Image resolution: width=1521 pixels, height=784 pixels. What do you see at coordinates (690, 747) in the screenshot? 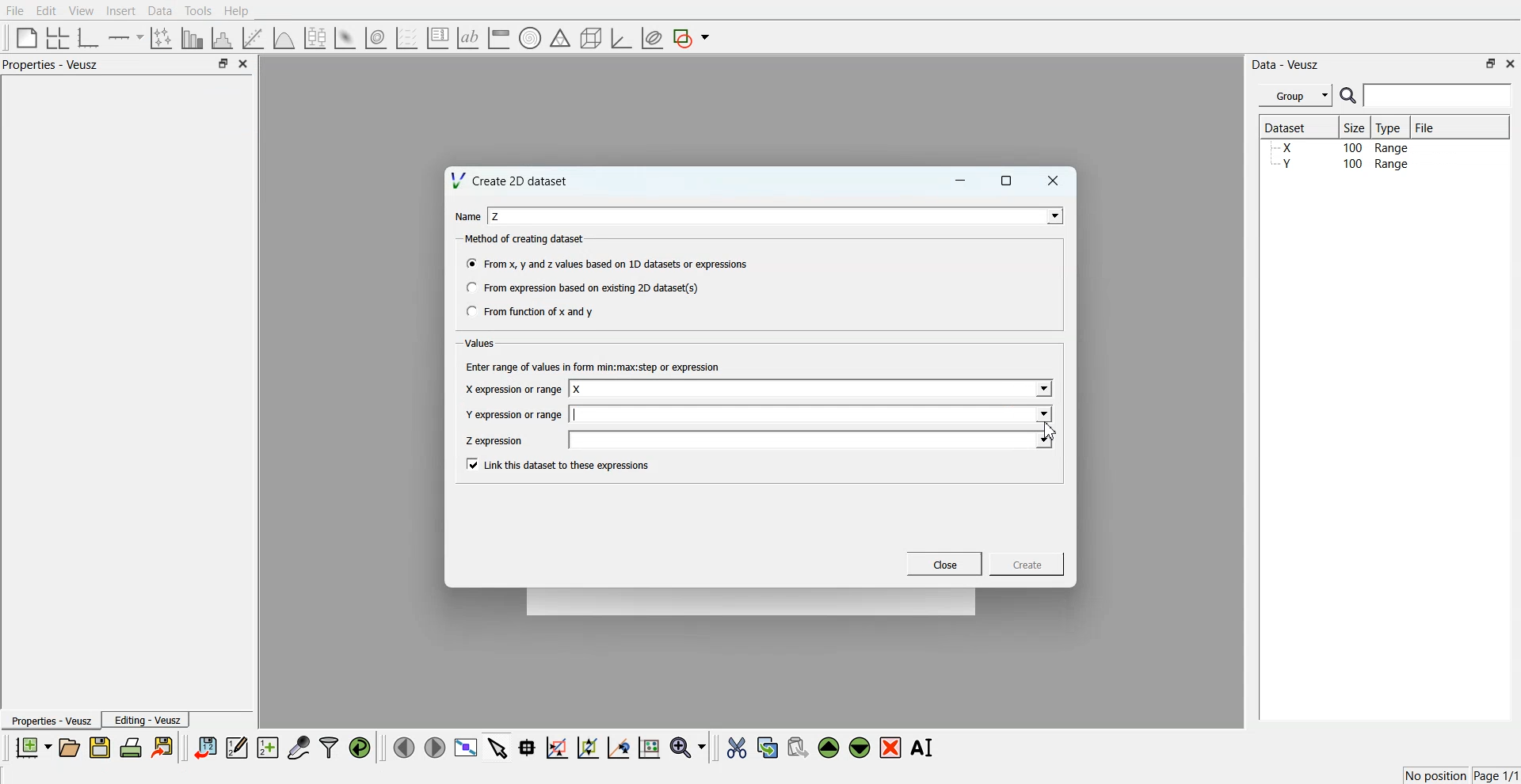
I see `Zoom function menu` at bounding box center [690, 747].